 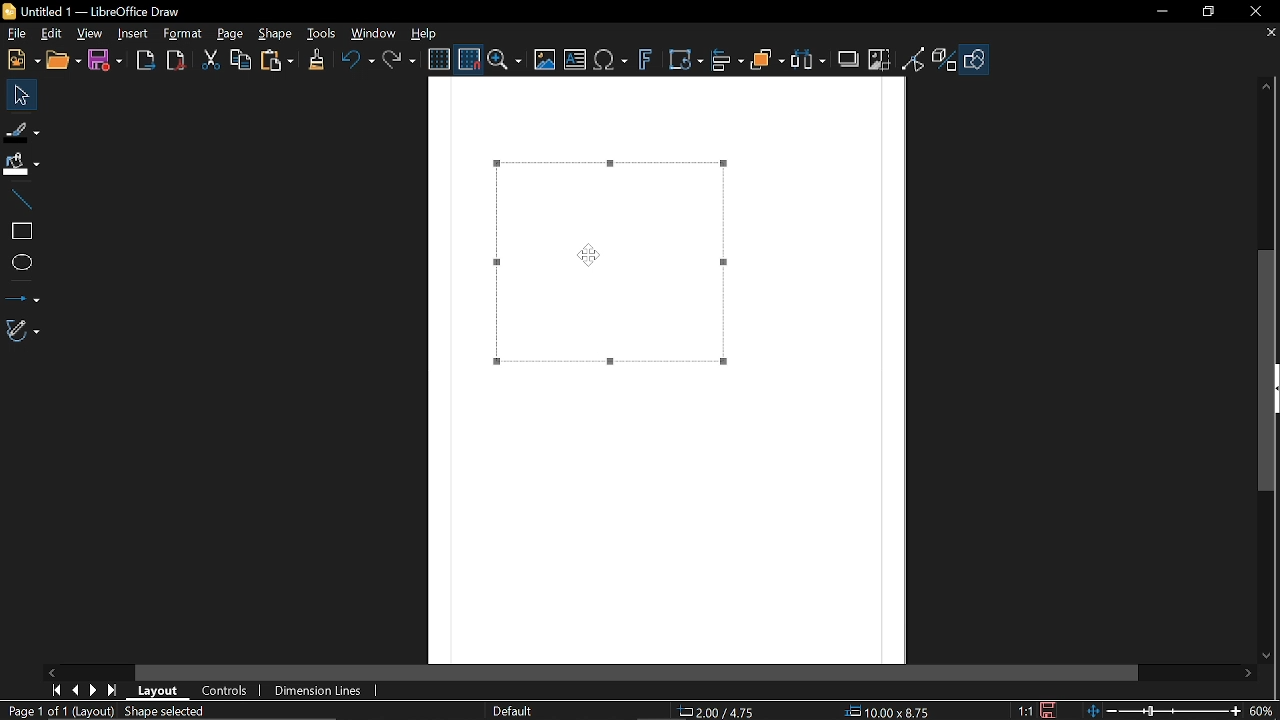 I want to click on Dimension lines, so click(x=319, y=690).